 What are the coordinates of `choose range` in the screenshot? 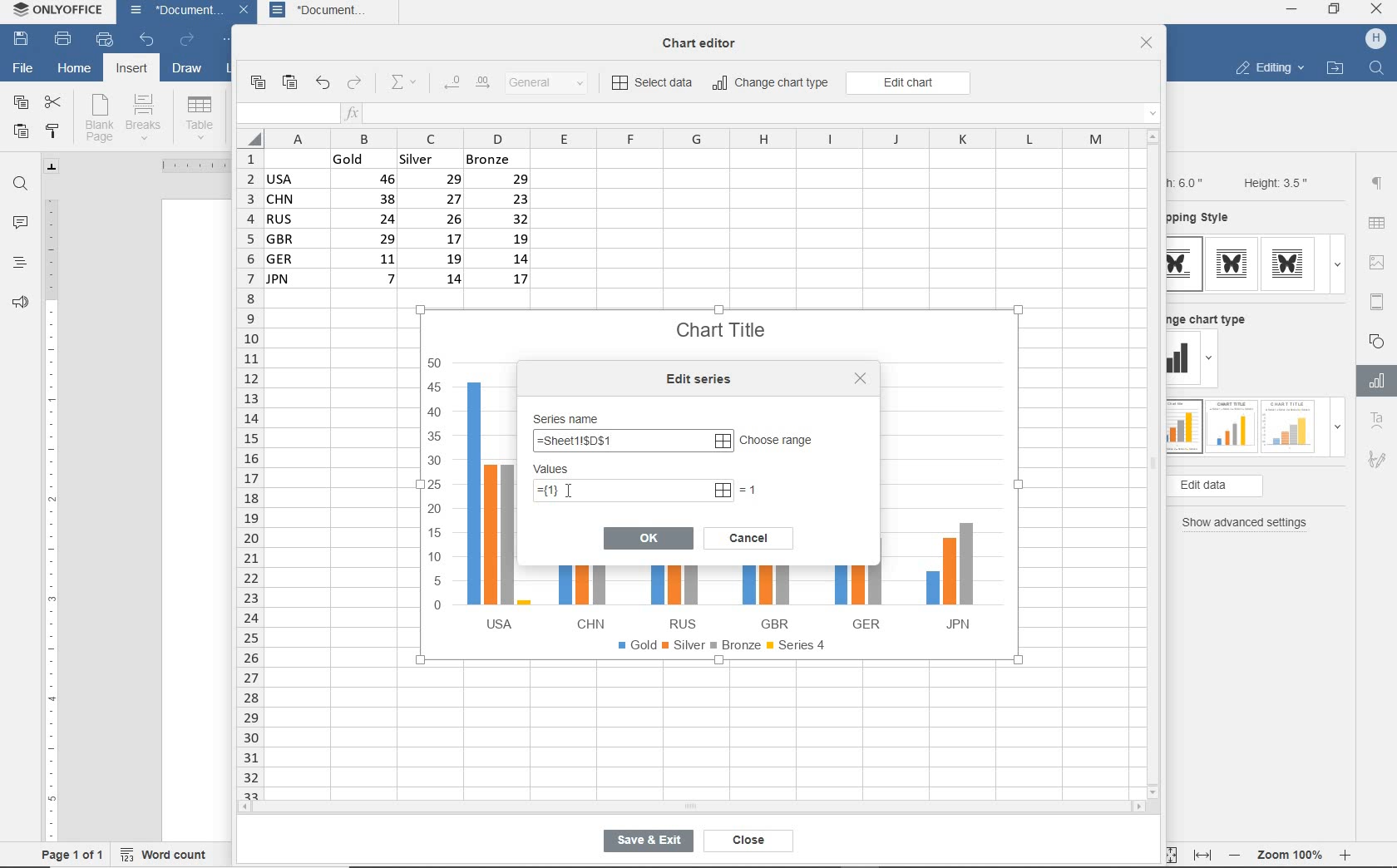 It's located at (778, 441).